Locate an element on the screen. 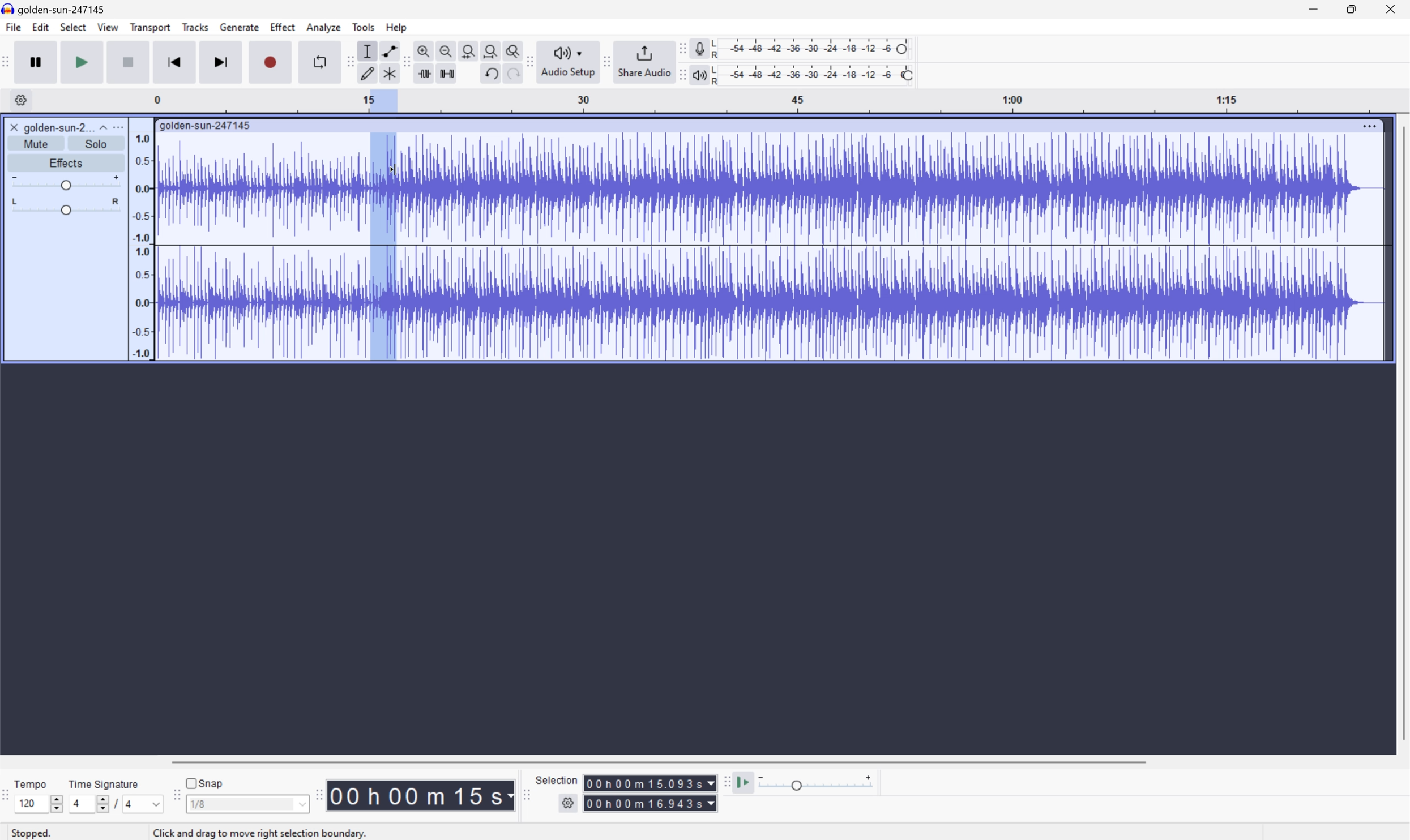  Slider is located at coordinates (54, 802).